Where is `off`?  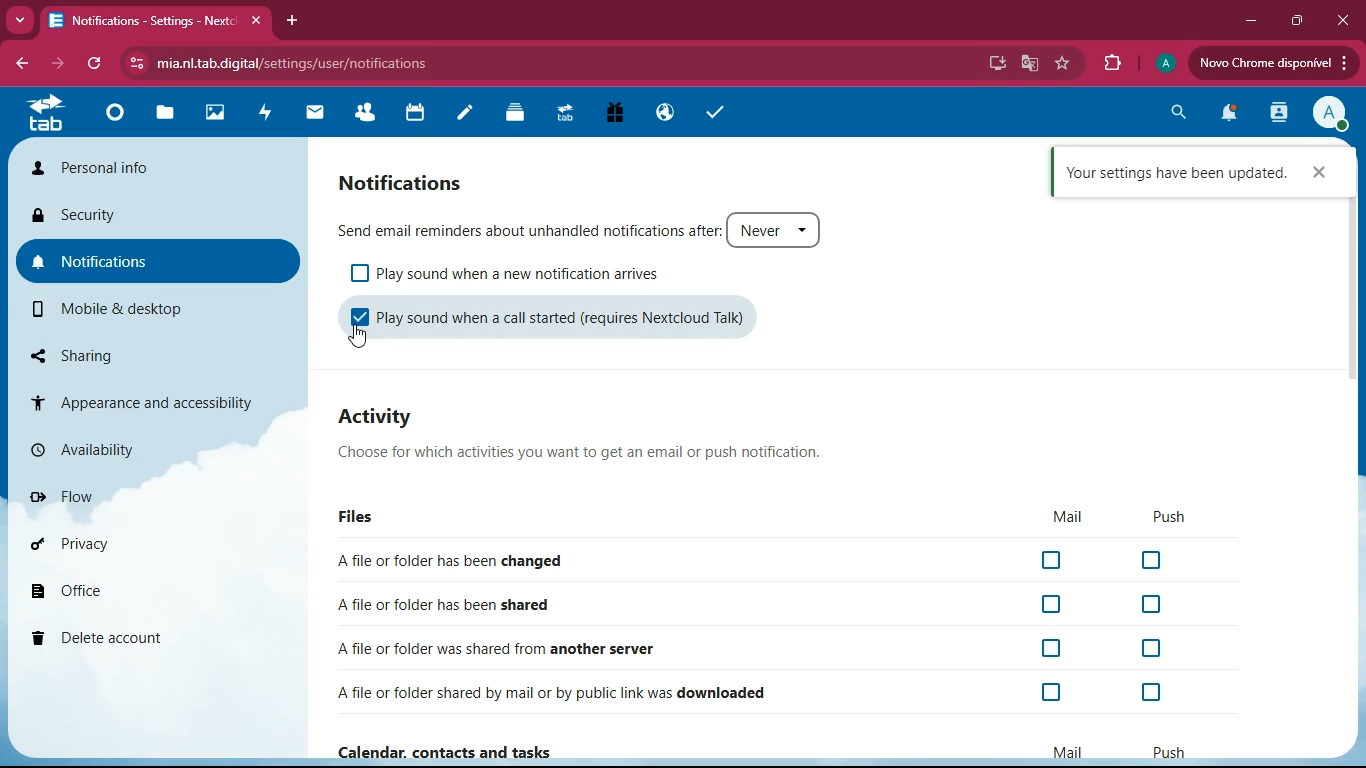 off is located at coordinates (1149, 693).